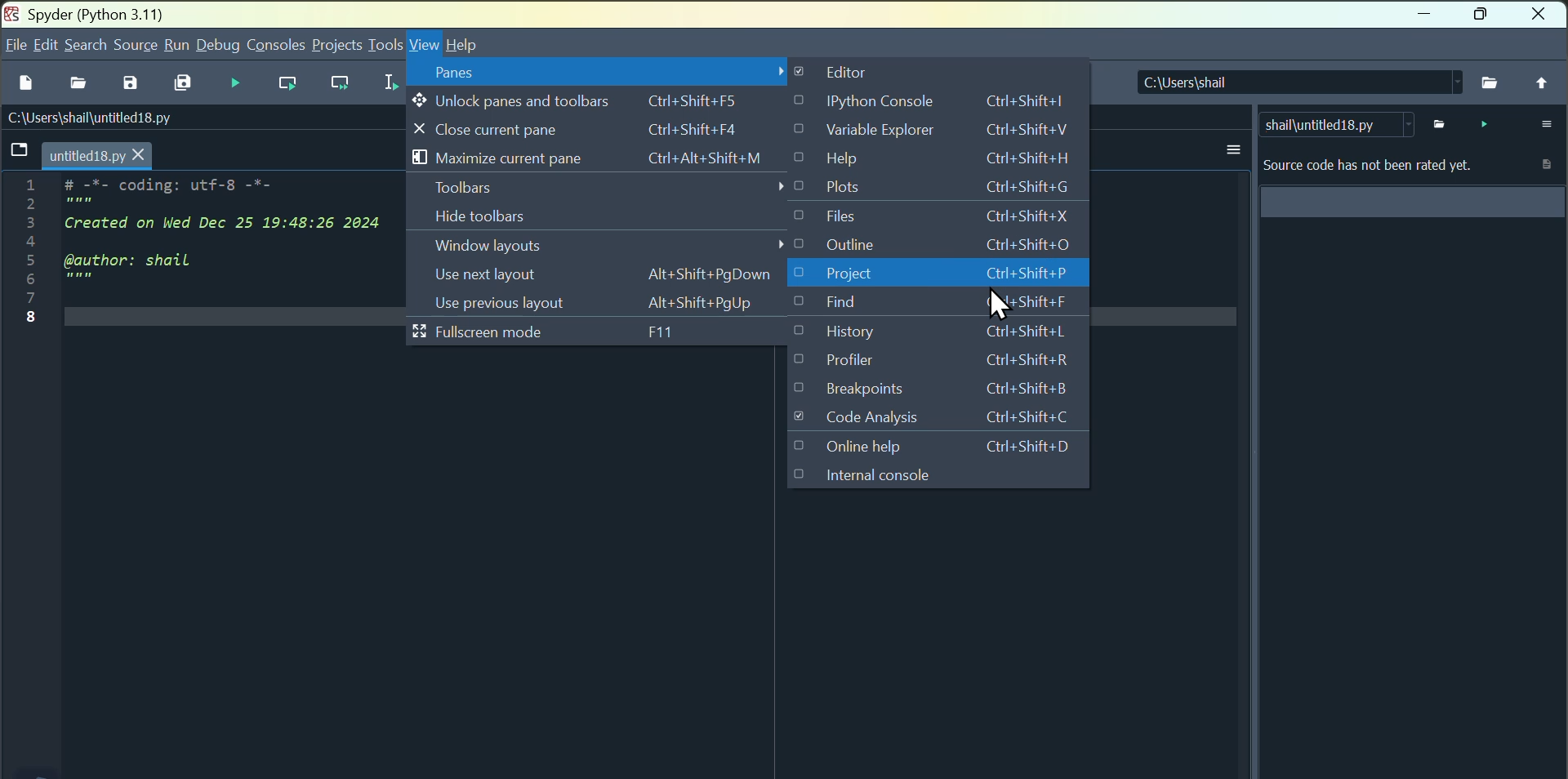  Describe the element at coordinates (87, 43) in the screenshot. I see `Search` at that location.